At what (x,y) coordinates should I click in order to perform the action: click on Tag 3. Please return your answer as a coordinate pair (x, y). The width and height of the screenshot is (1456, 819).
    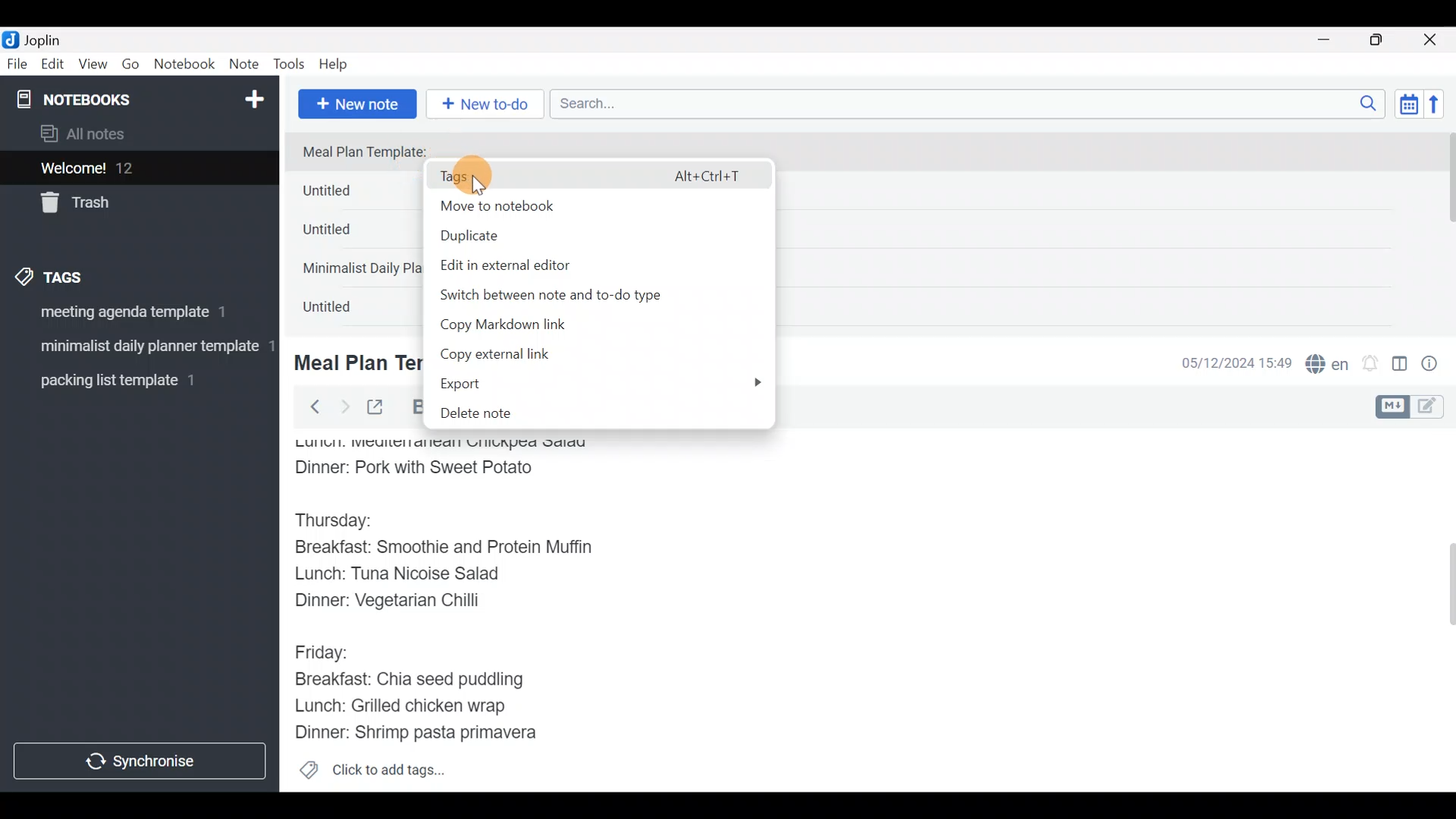
    Looking at the image, I should click on (134, 380).